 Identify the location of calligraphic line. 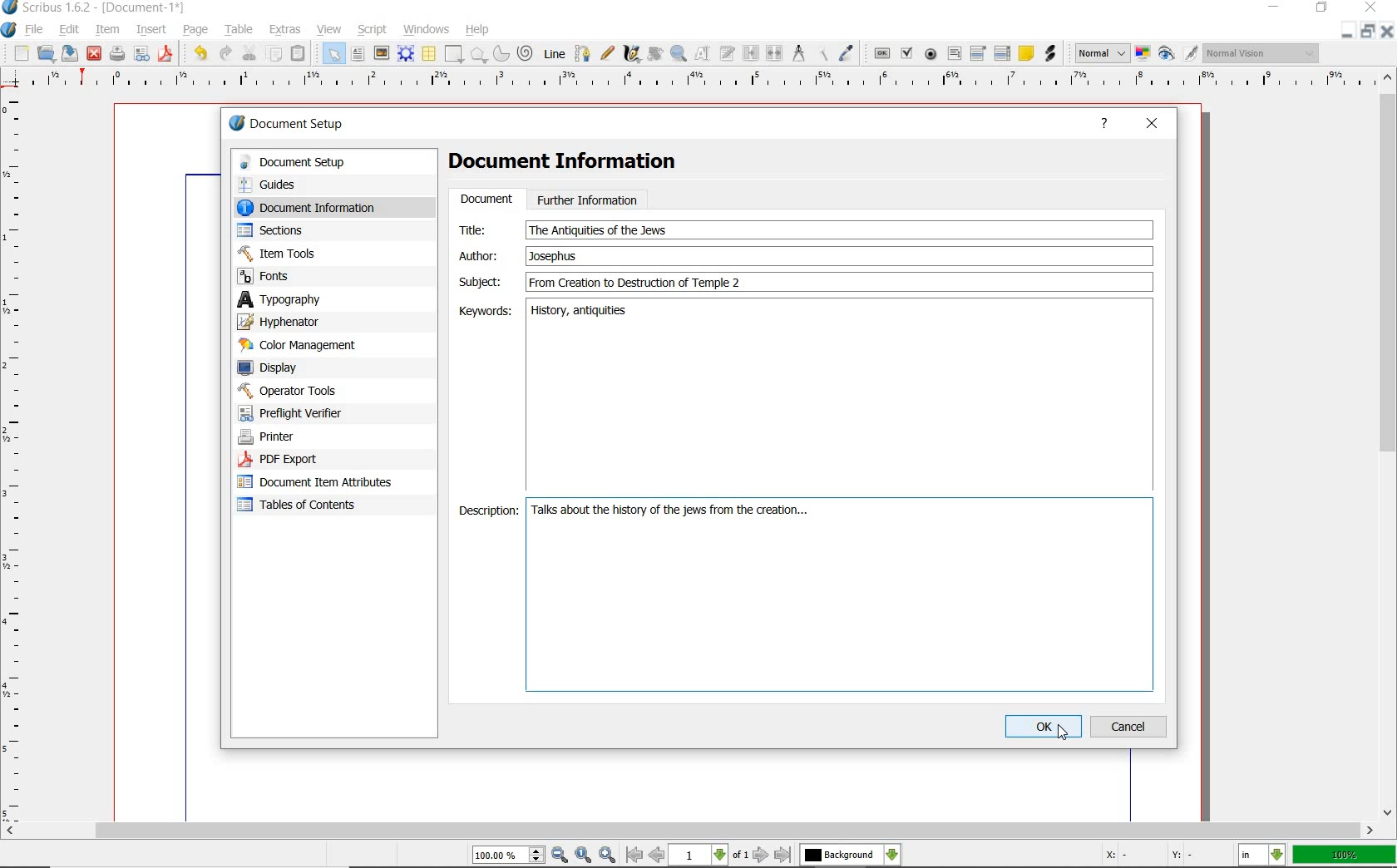
(632, 55).